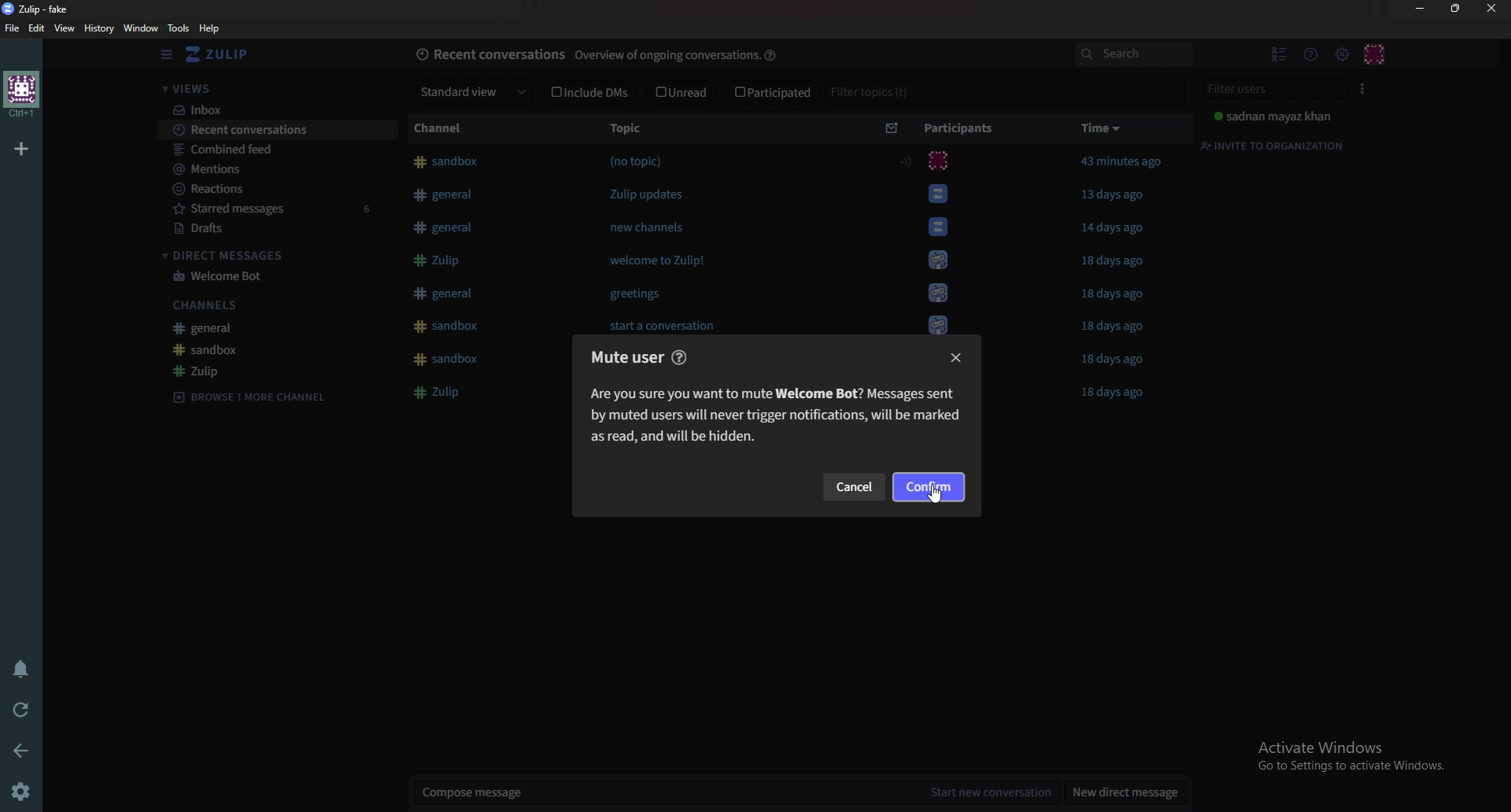 The width and height of the screenshot is (1511, 812). Describe the element at coordinates (278, 369) in the screenshot. I see `Zulip` at that location.